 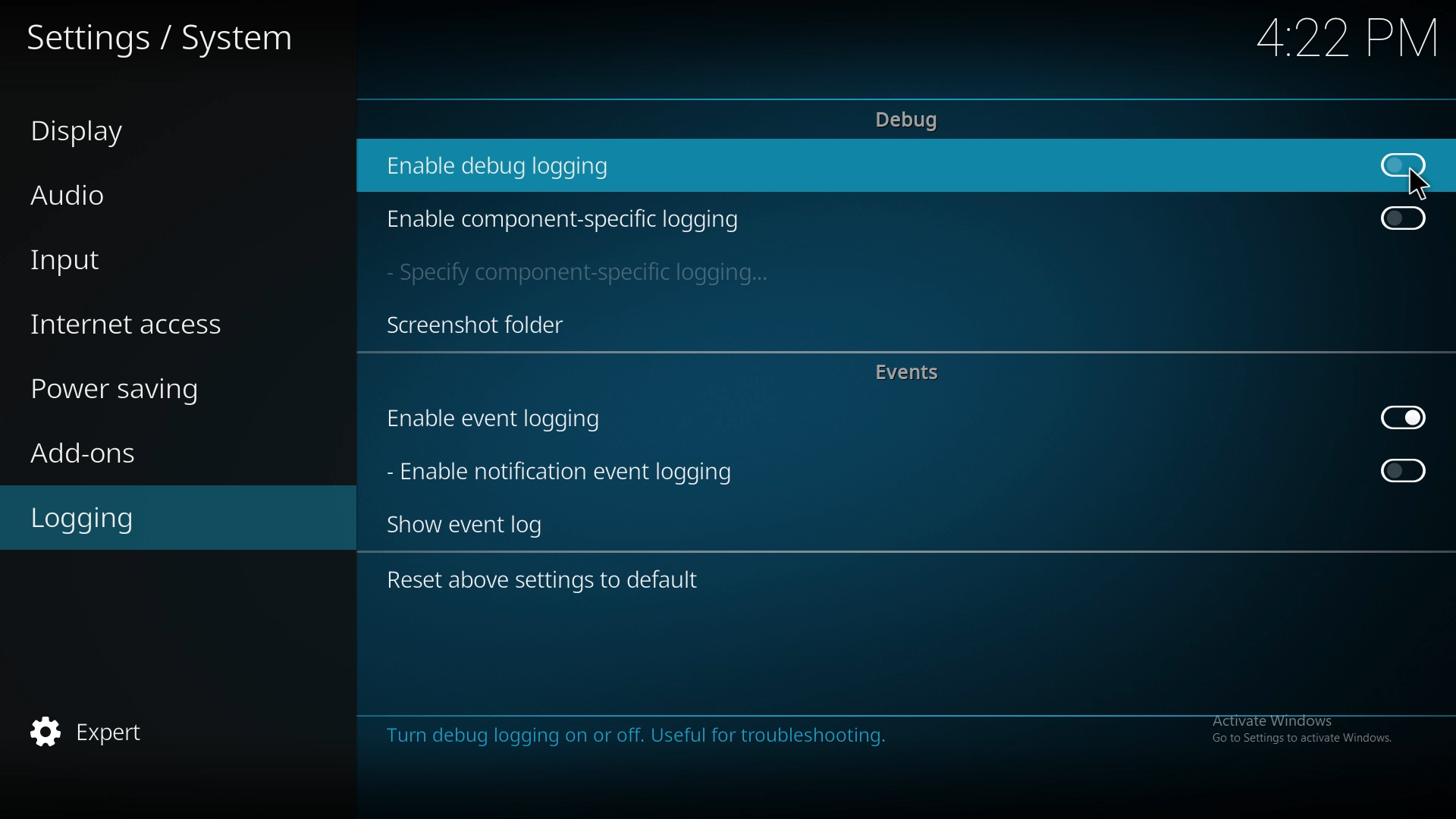 I want to click on off, so click(x=1404, y=471).